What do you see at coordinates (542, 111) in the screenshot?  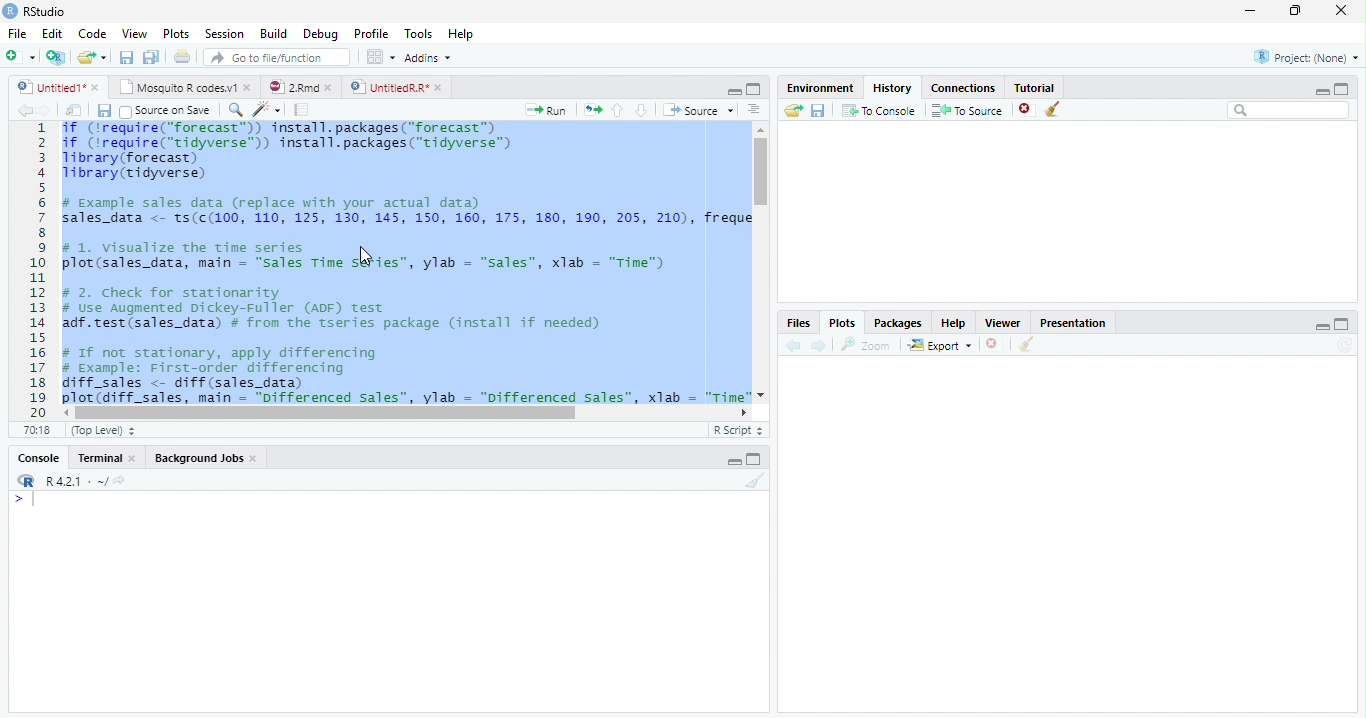 I see `Run` at bounding box center [542, 111].